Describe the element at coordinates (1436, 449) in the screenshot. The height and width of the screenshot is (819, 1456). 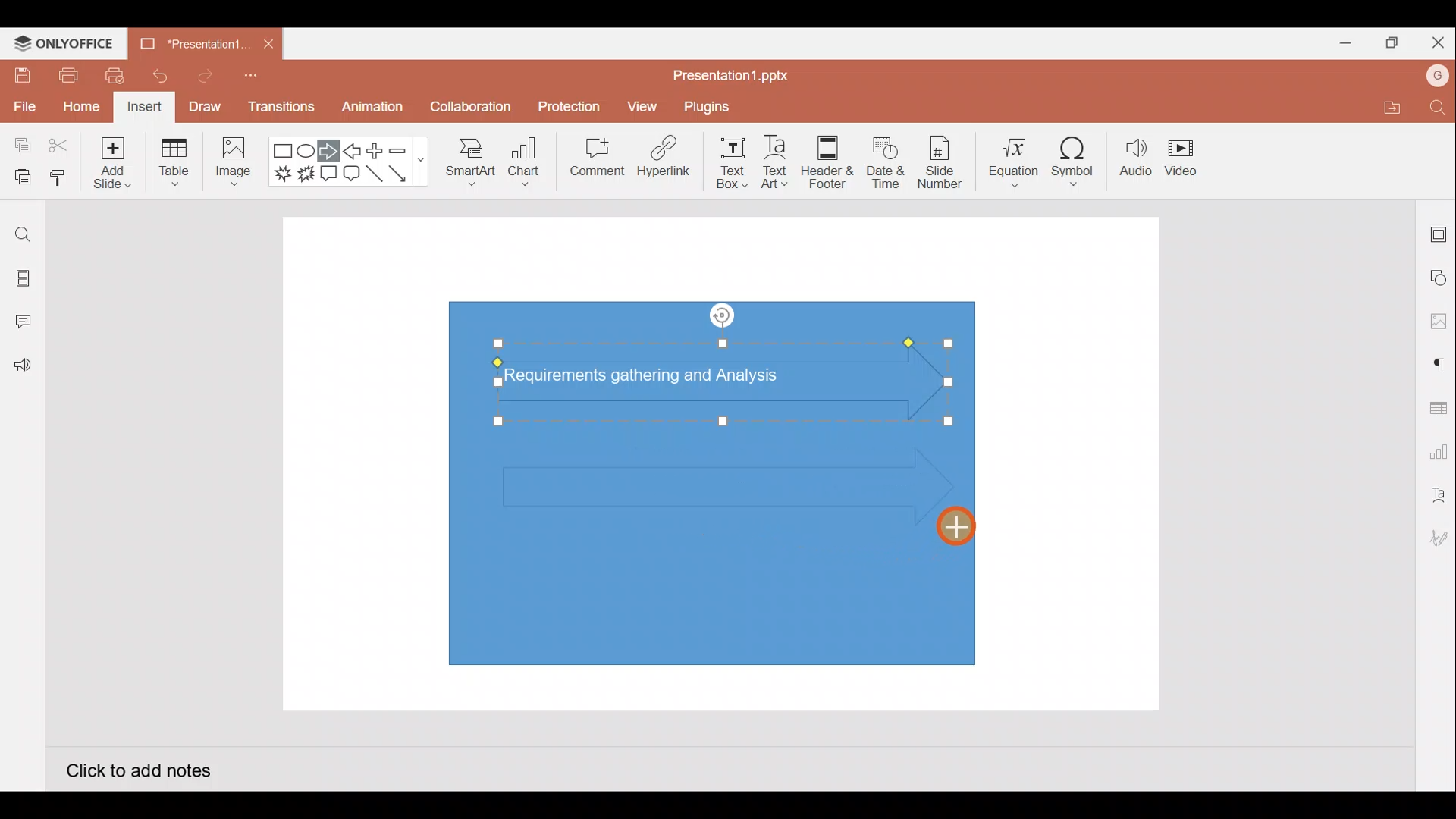
I see `Chart settings` at that location.